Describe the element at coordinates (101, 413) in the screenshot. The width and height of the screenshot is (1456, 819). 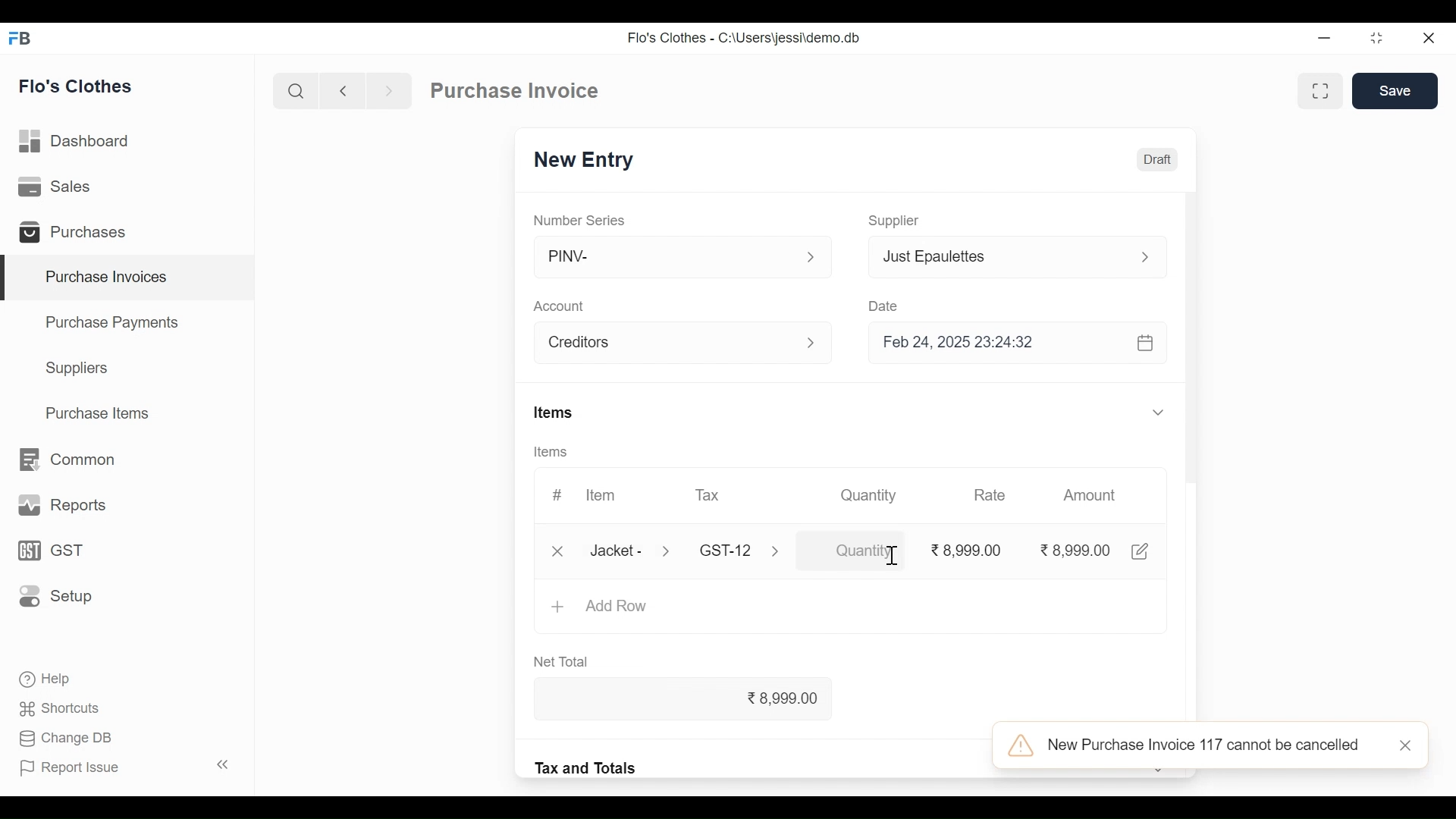
I see `Purchase Items` at that location.